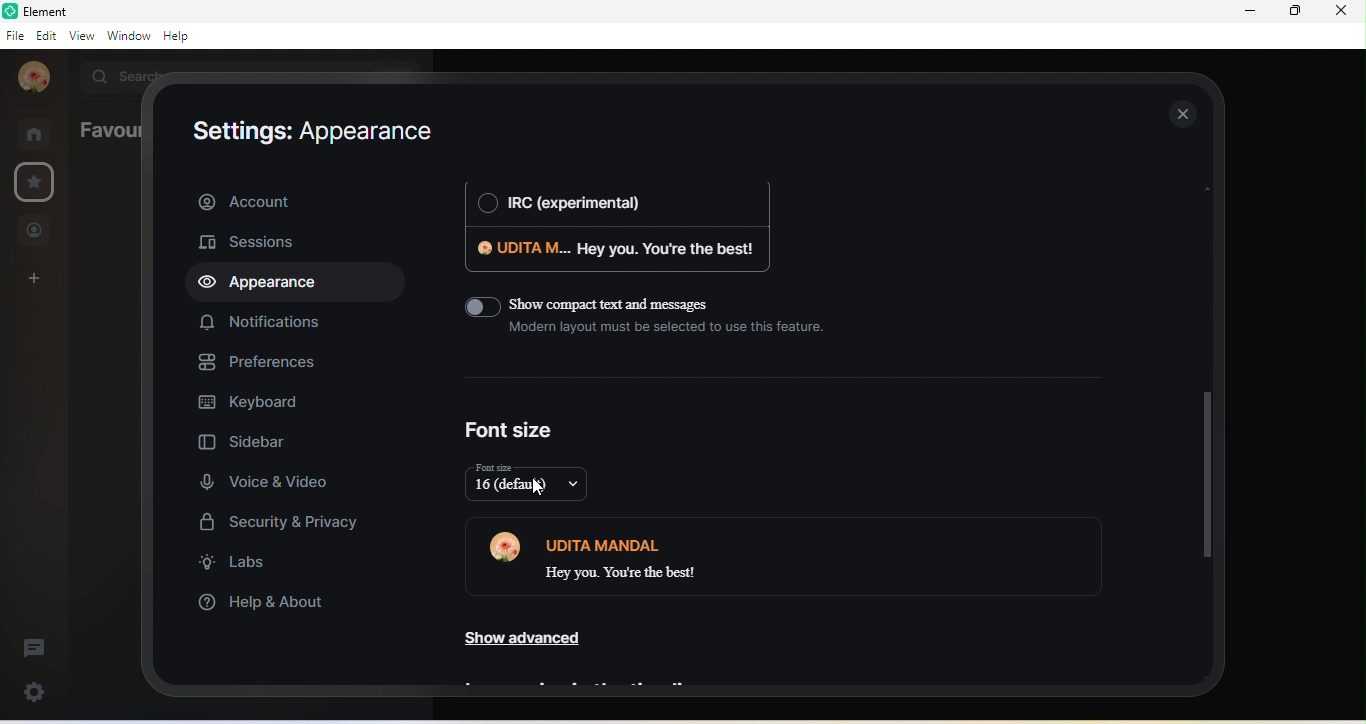  Describe the element at coordinates (523, 633) in the screenshot. I see `show advanced` at that location.